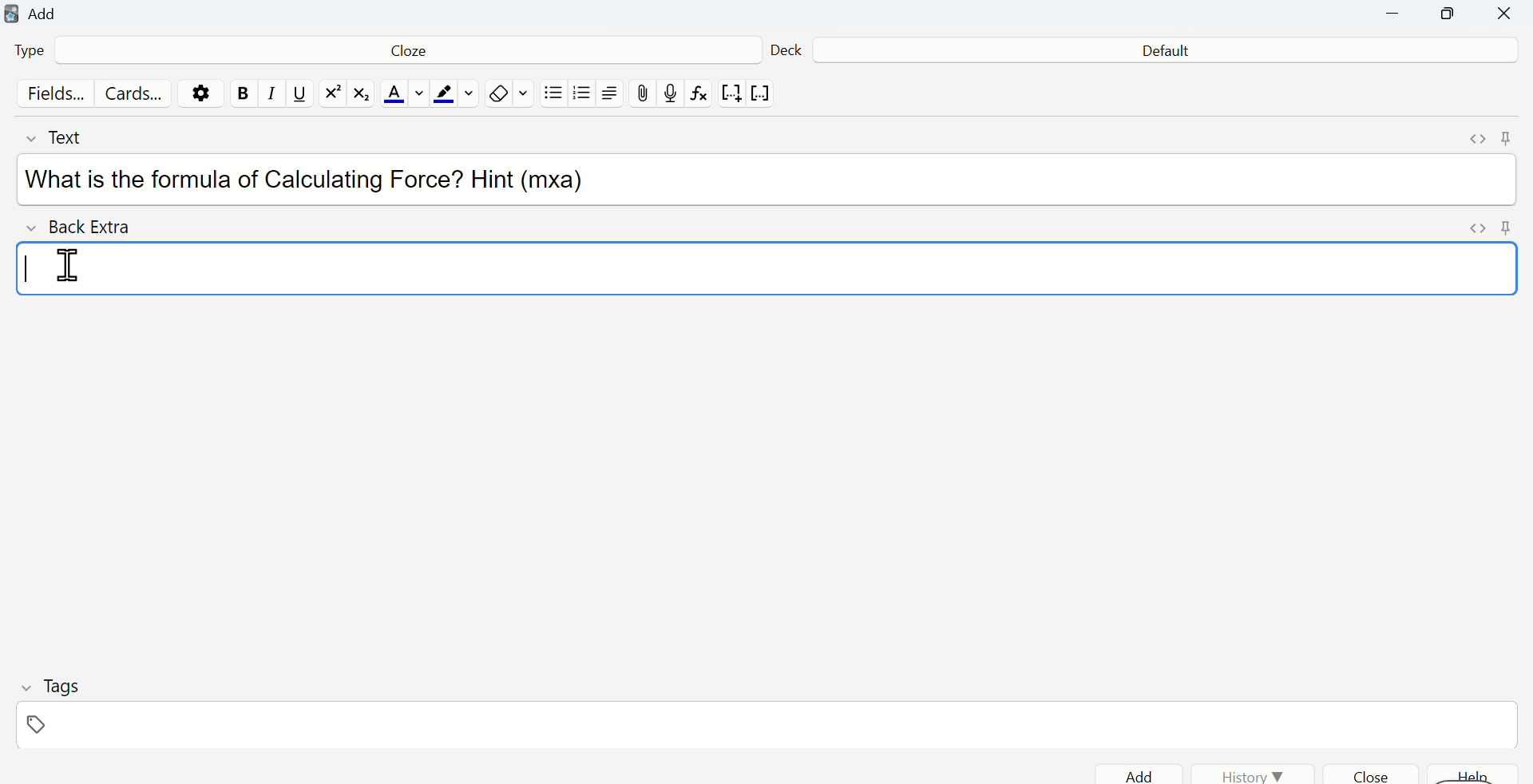 The width and height of the screenshot is (1533, 784). What do you see at coordinates (299, 95) in the screenshot?
I see `Underline` at bounding box center [299, 95].